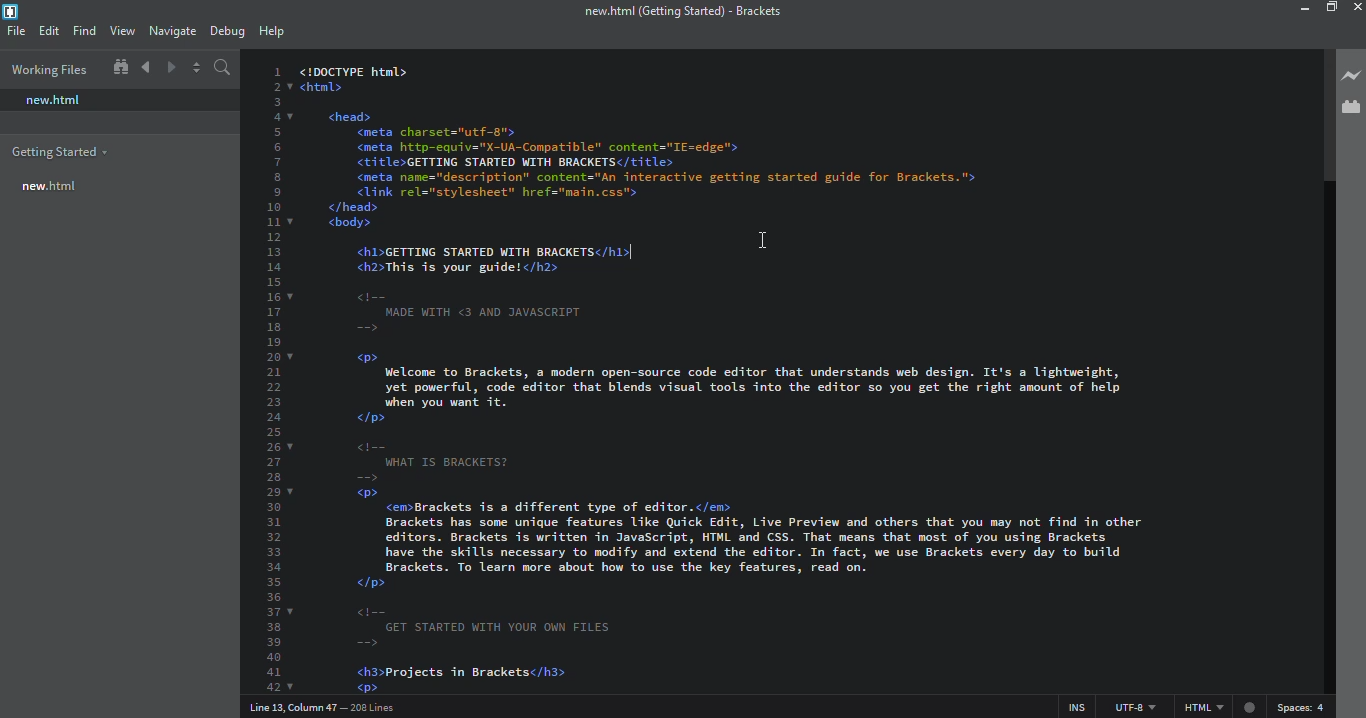 The image size is (1366, 718). What do you see at coordinates (17, 30) in the screenshot?
I see `file` at bounding box center [17, 30].